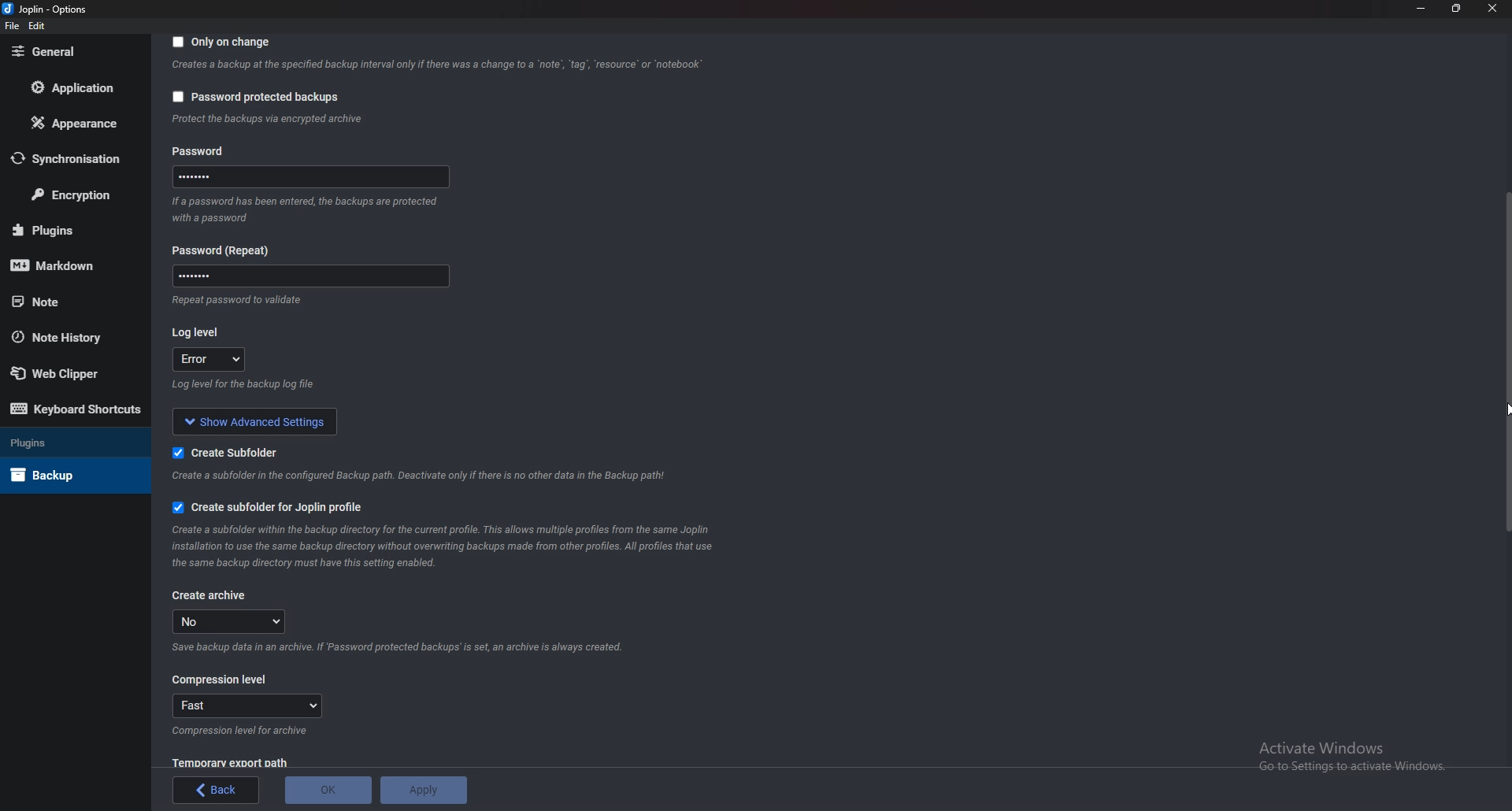 The width and height of the screenshot is (1512, 811). I want to click on mark down, so click(64, 267).